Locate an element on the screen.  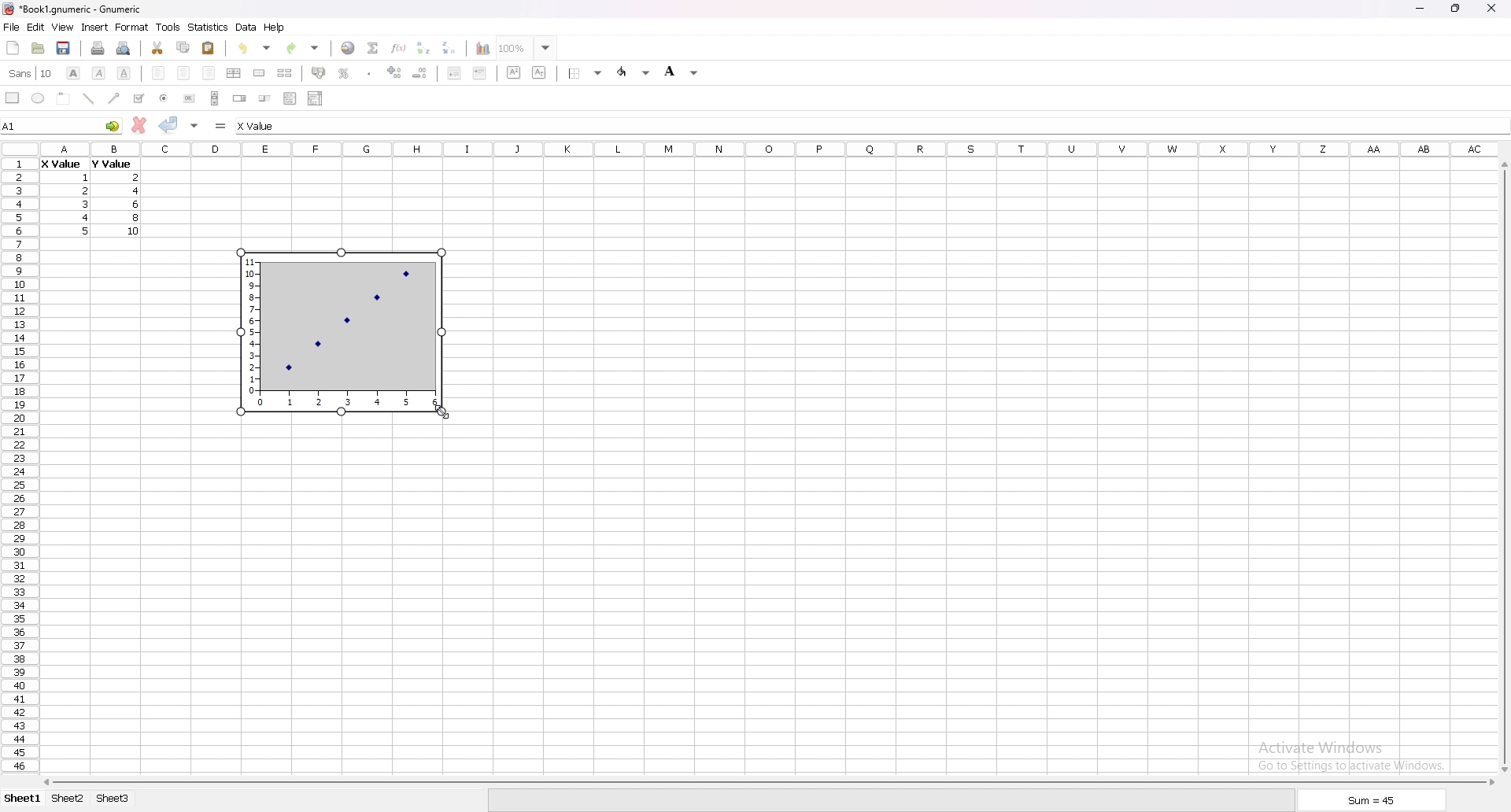
format is located at coordinates (132, 27).